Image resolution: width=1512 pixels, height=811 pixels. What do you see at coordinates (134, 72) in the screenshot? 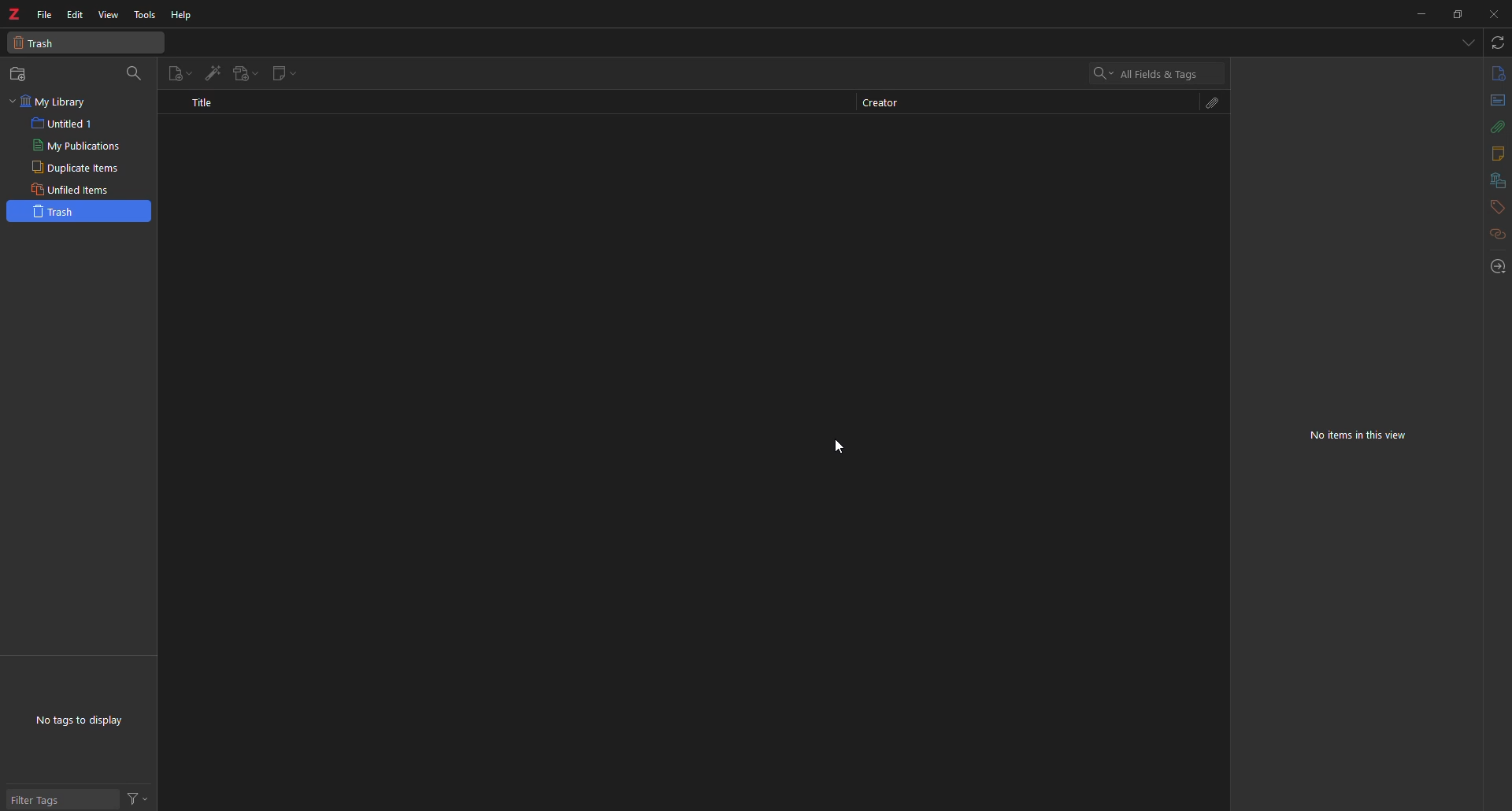
I see `search` at bounding box center [134, 72].